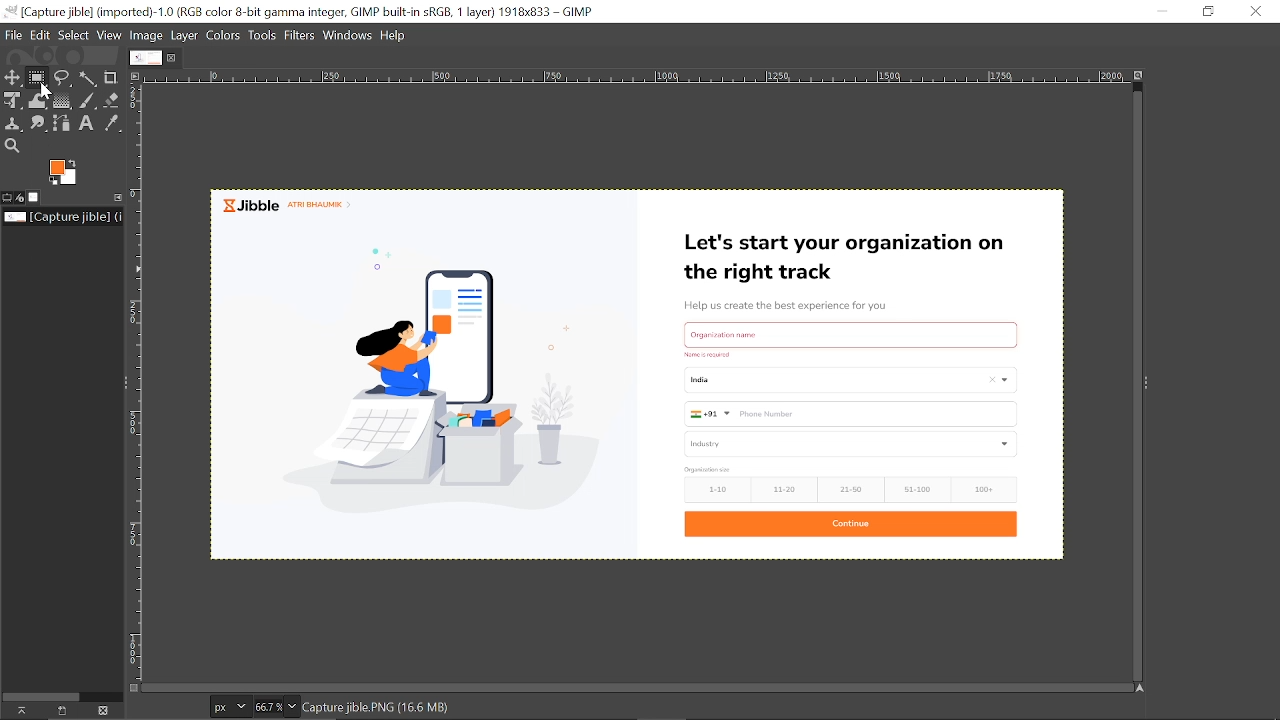 The height and width of the screenshot is (720, 1280). I want to click on Windows, so click(349, 35).